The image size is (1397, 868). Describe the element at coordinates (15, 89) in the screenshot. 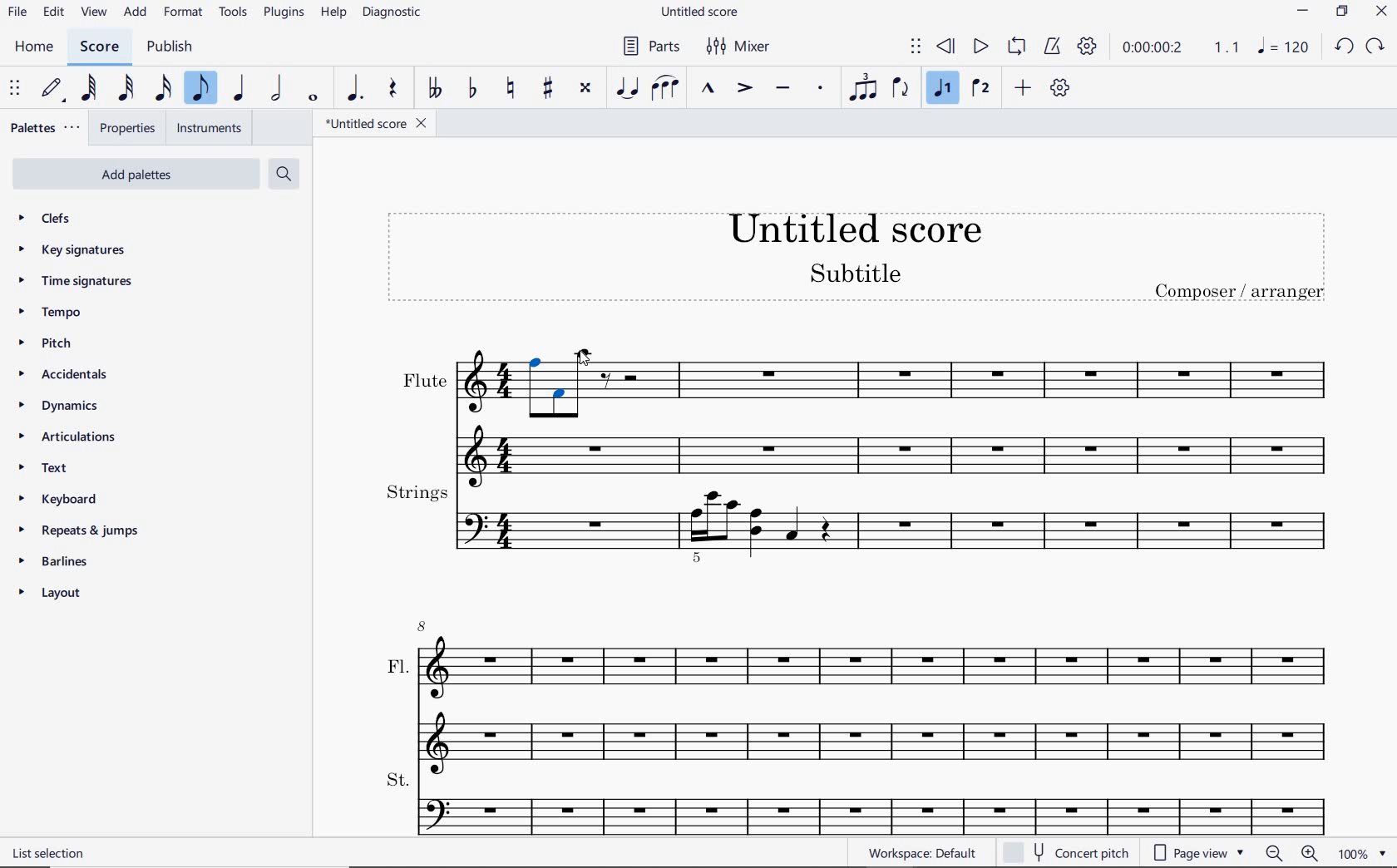

I see `SELECT TO MOVE` at that location.